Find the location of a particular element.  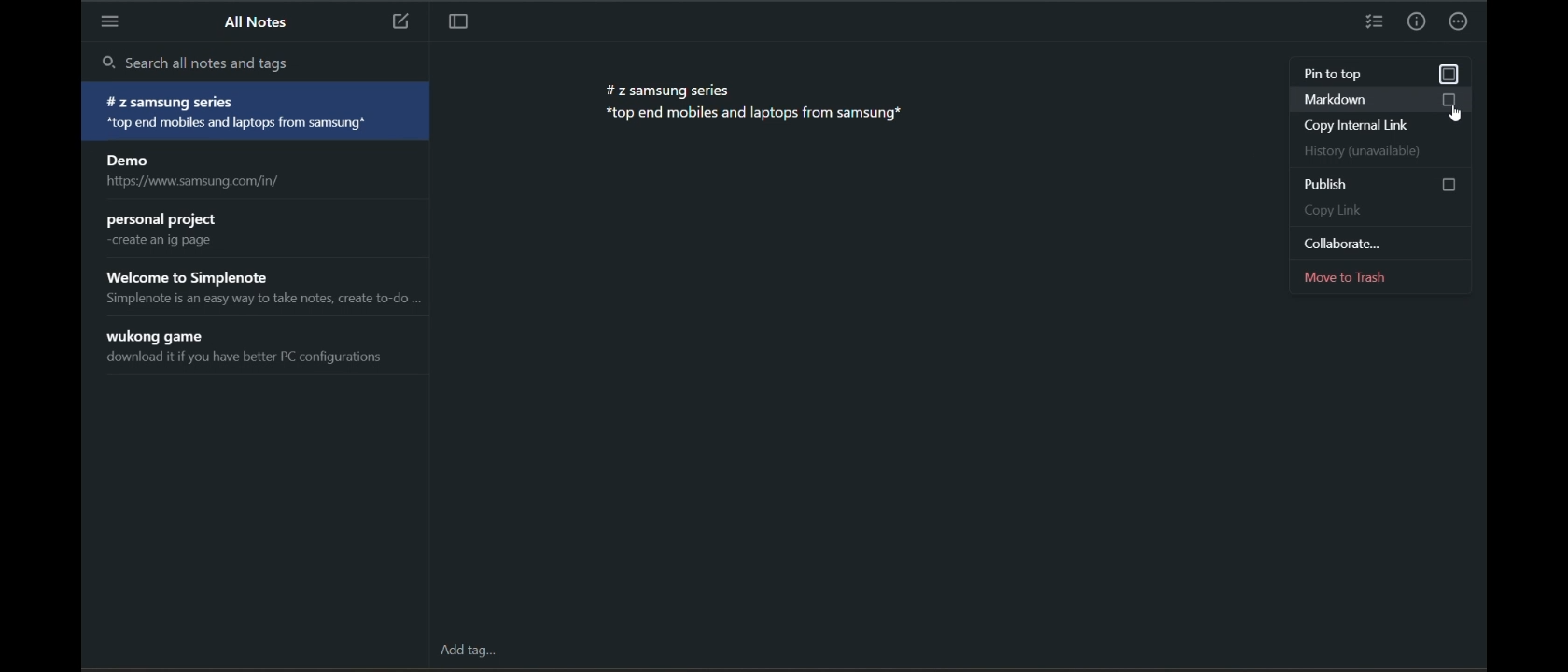

personal project create an ig page is located at coordinates (259, 230).